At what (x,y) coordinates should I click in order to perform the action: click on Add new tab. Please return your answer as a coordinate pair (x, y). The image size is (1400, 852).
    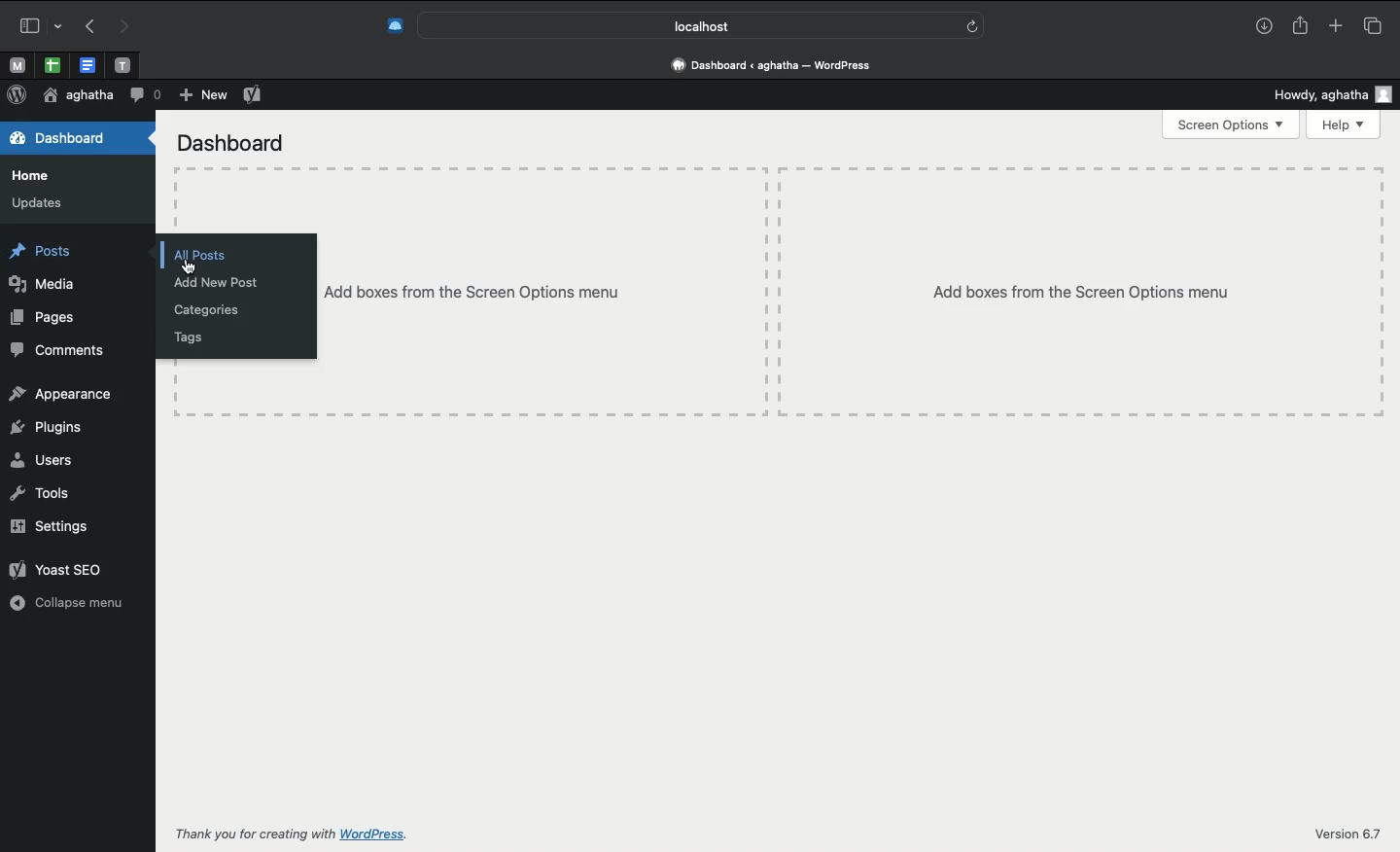
    Looking at the image, I should click on (1334, 25).